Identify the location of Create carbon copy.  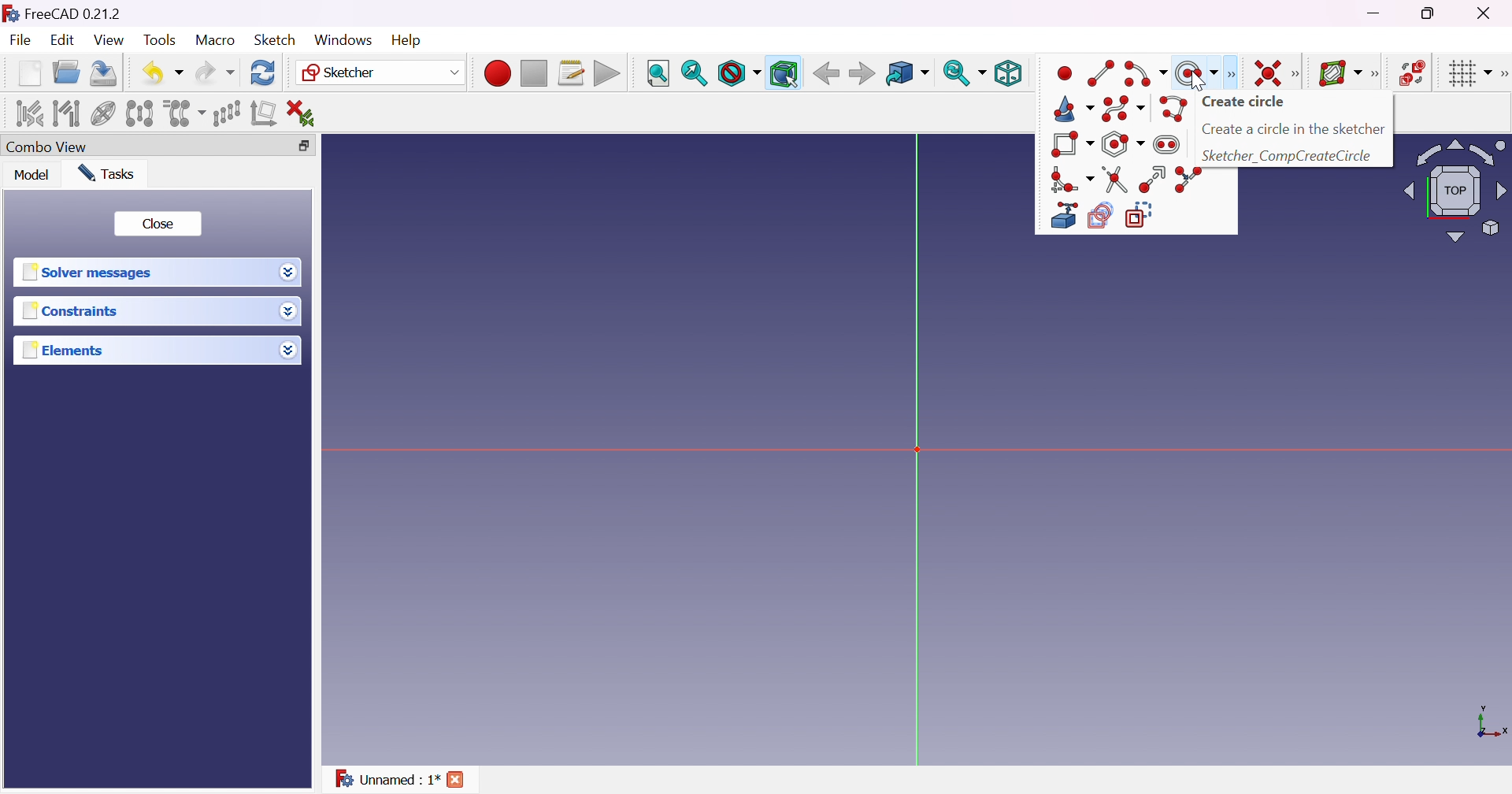
(1100, 216).